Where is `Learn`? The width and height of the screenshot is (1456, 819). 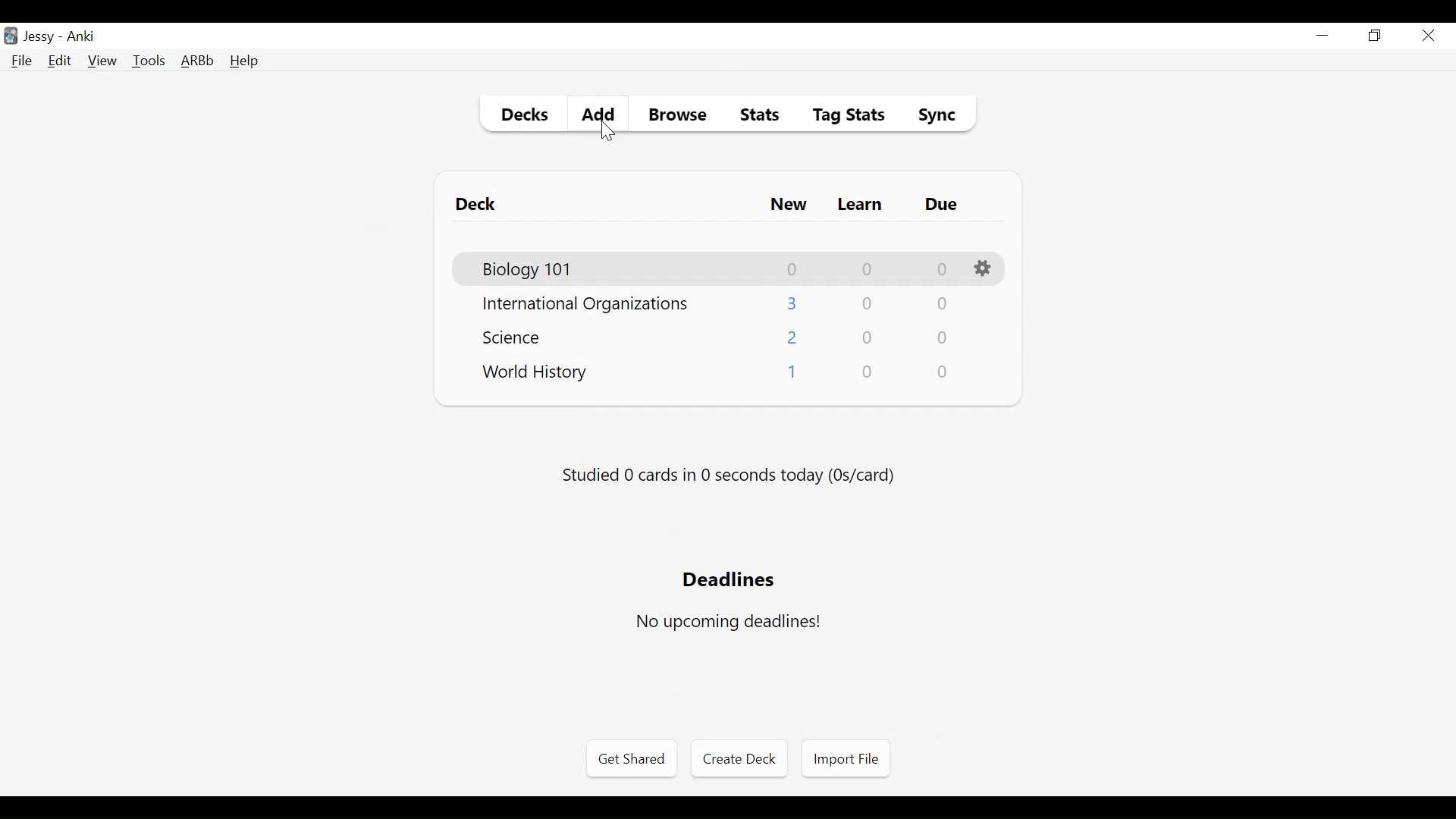
Learn is located at coordinates (859, 206).